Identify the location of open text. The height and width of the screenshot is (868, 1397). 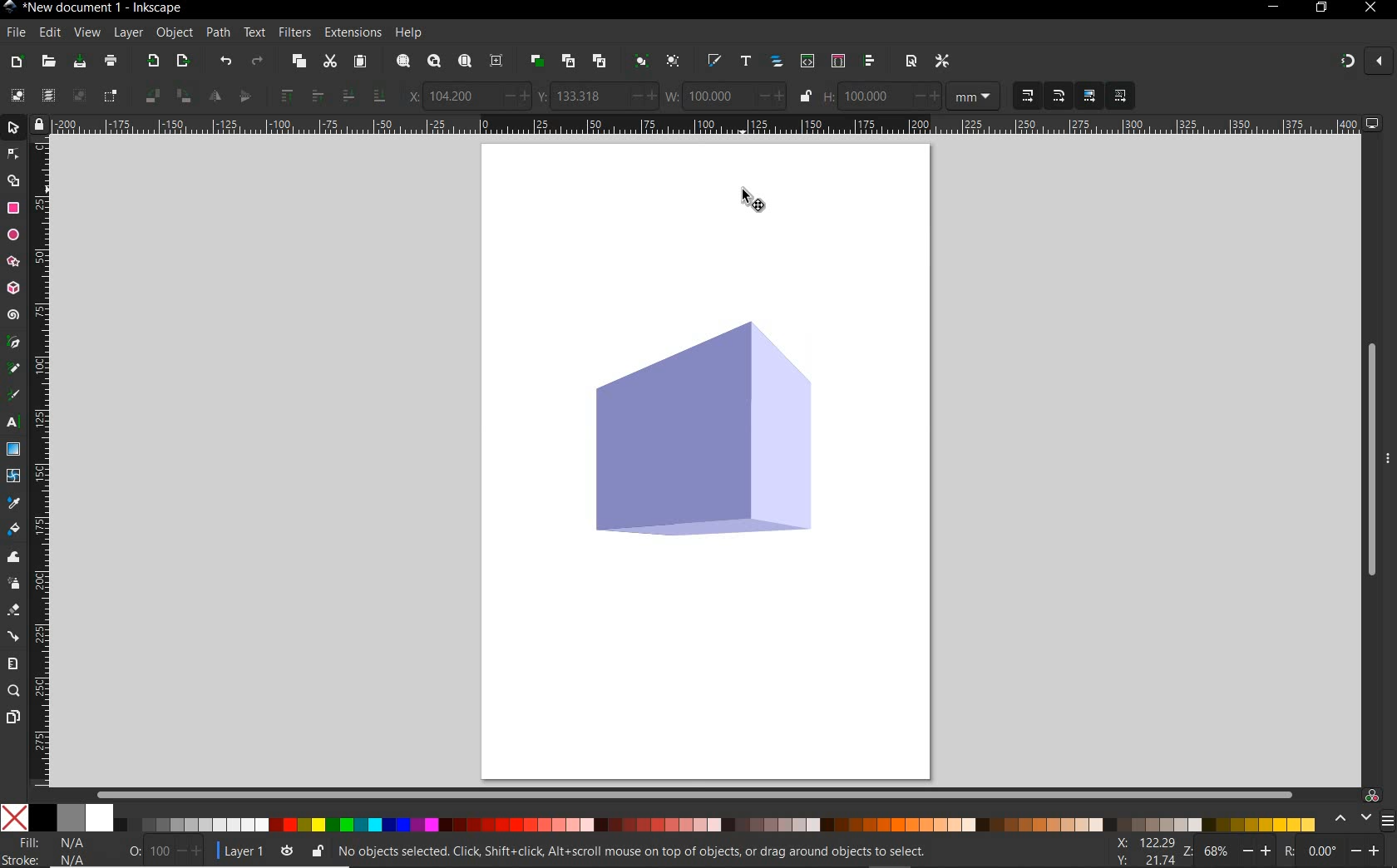
(745, 62).